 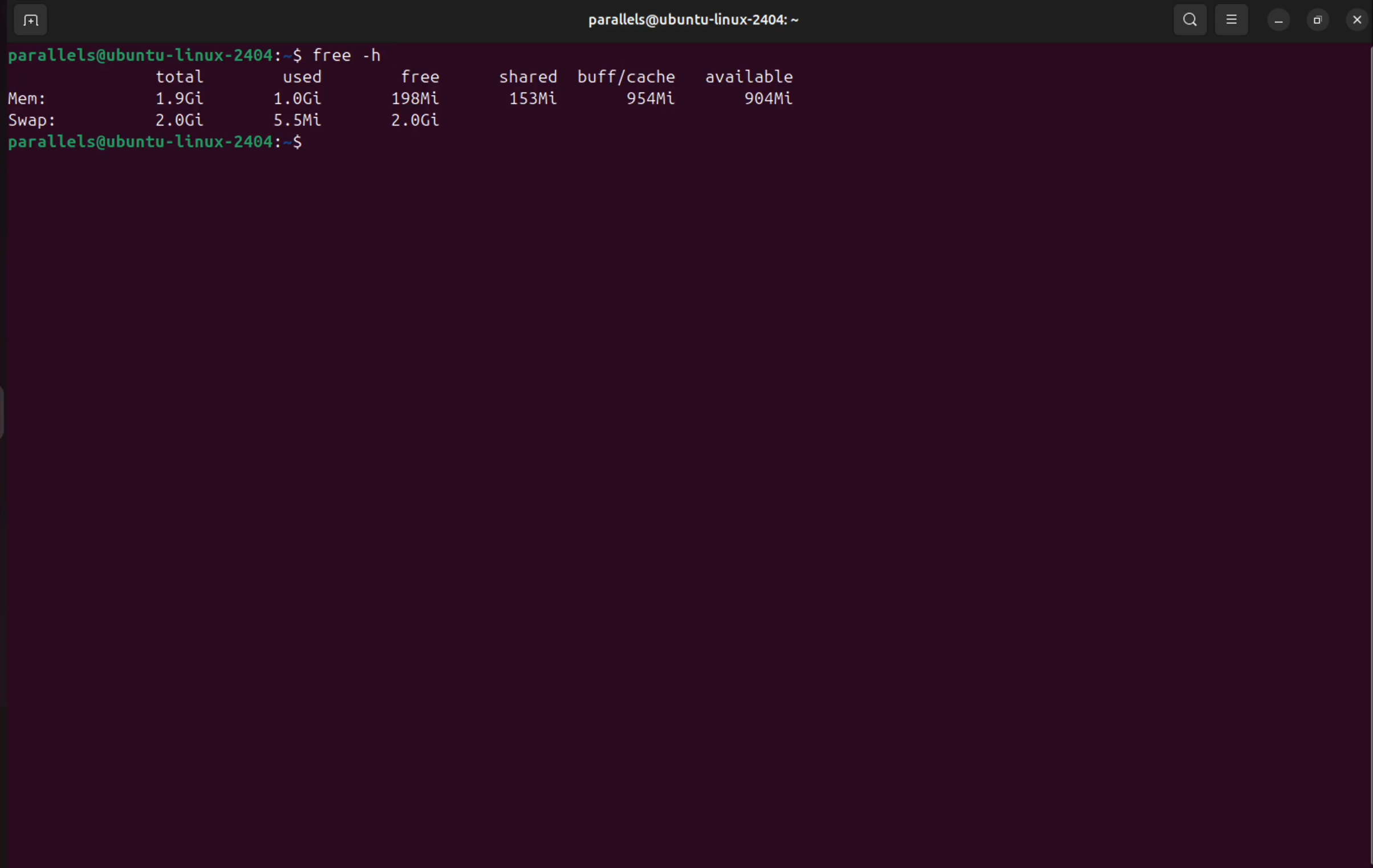 I want to click on Scrollbar, so click(x=1364, y=446).